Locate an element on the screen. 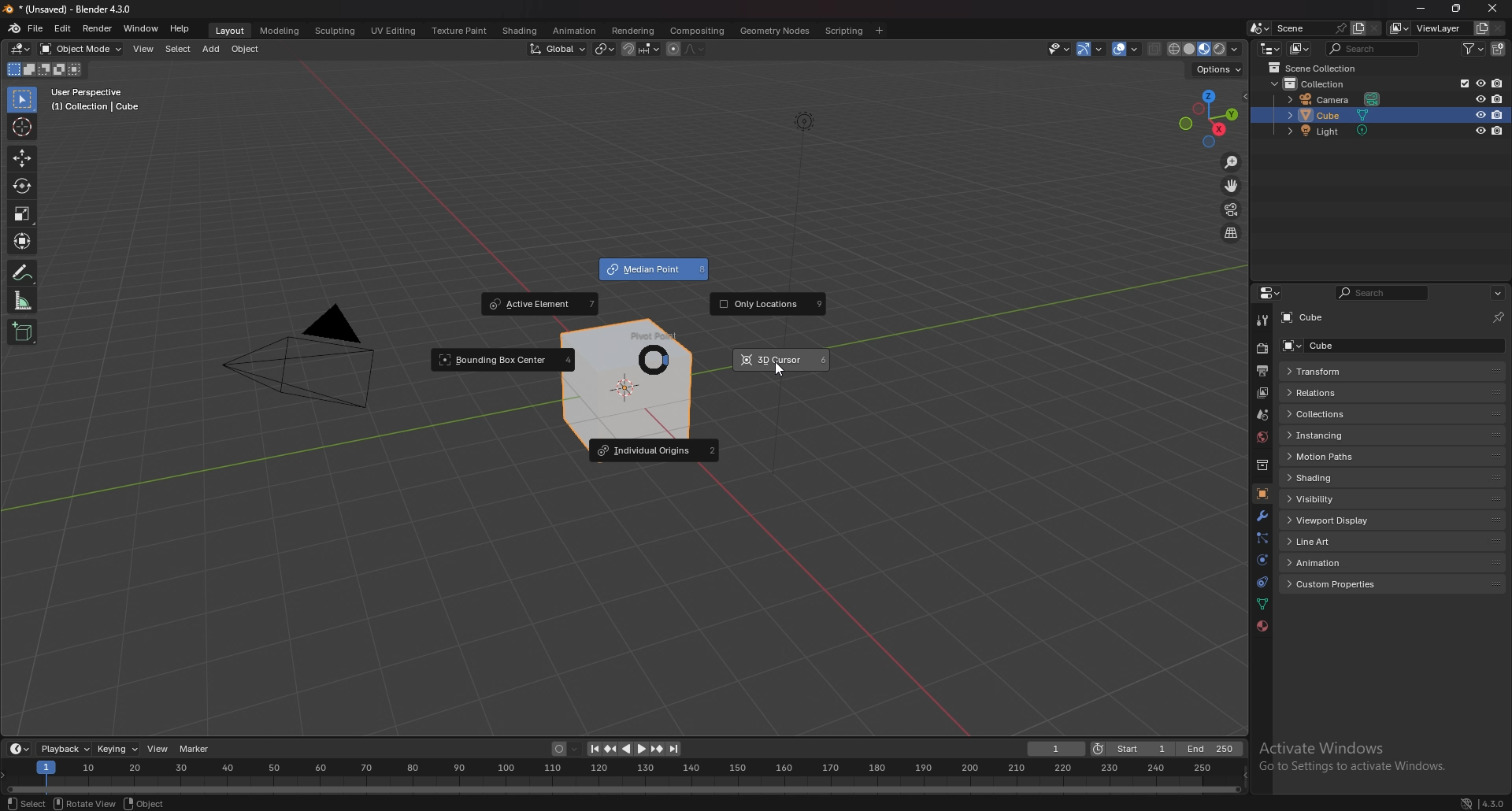 The image size is (1512, 811). shading is located at coordinates (1334, 478).